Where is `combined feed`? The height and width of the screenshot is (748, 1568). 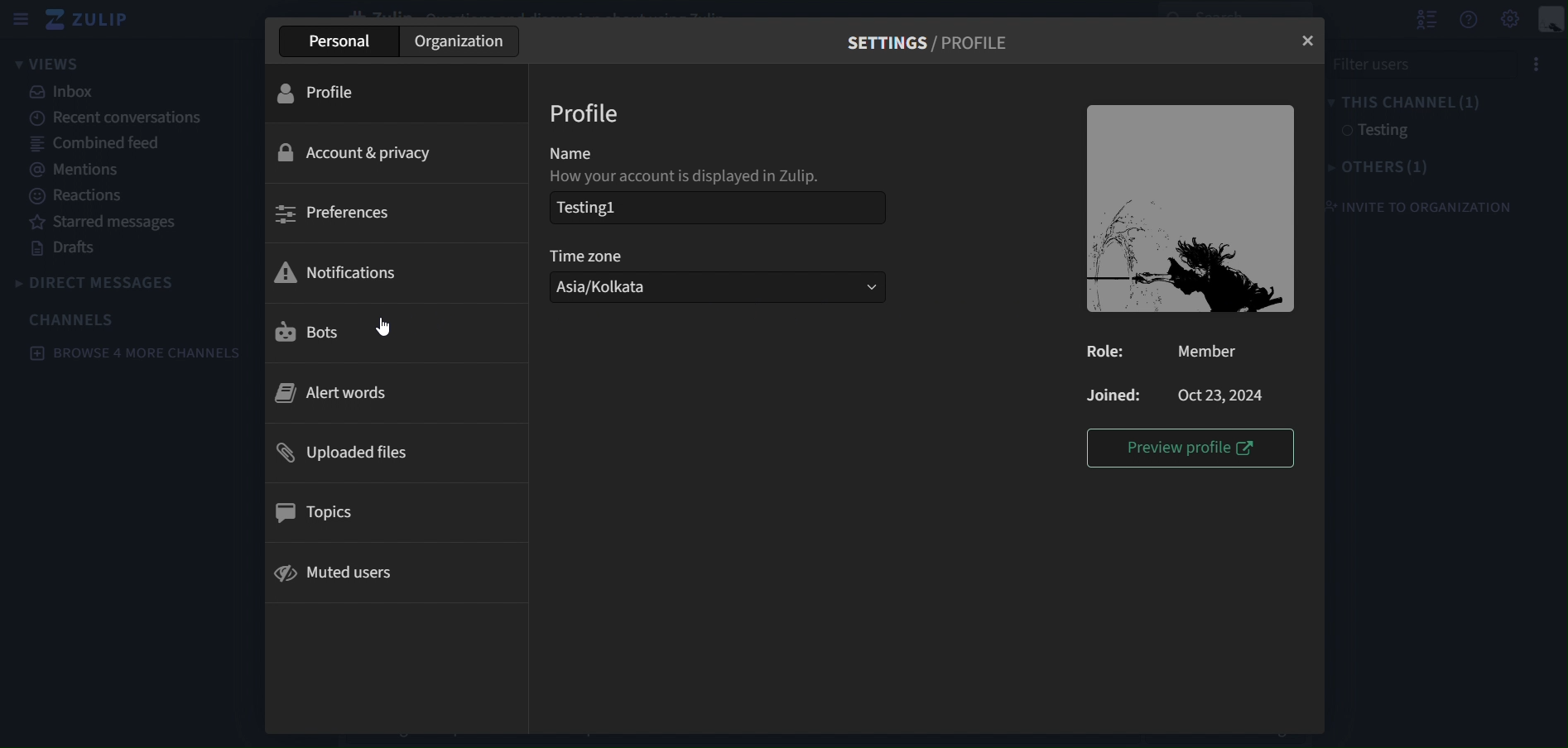
combined feed is located at coordinates (97, 146).